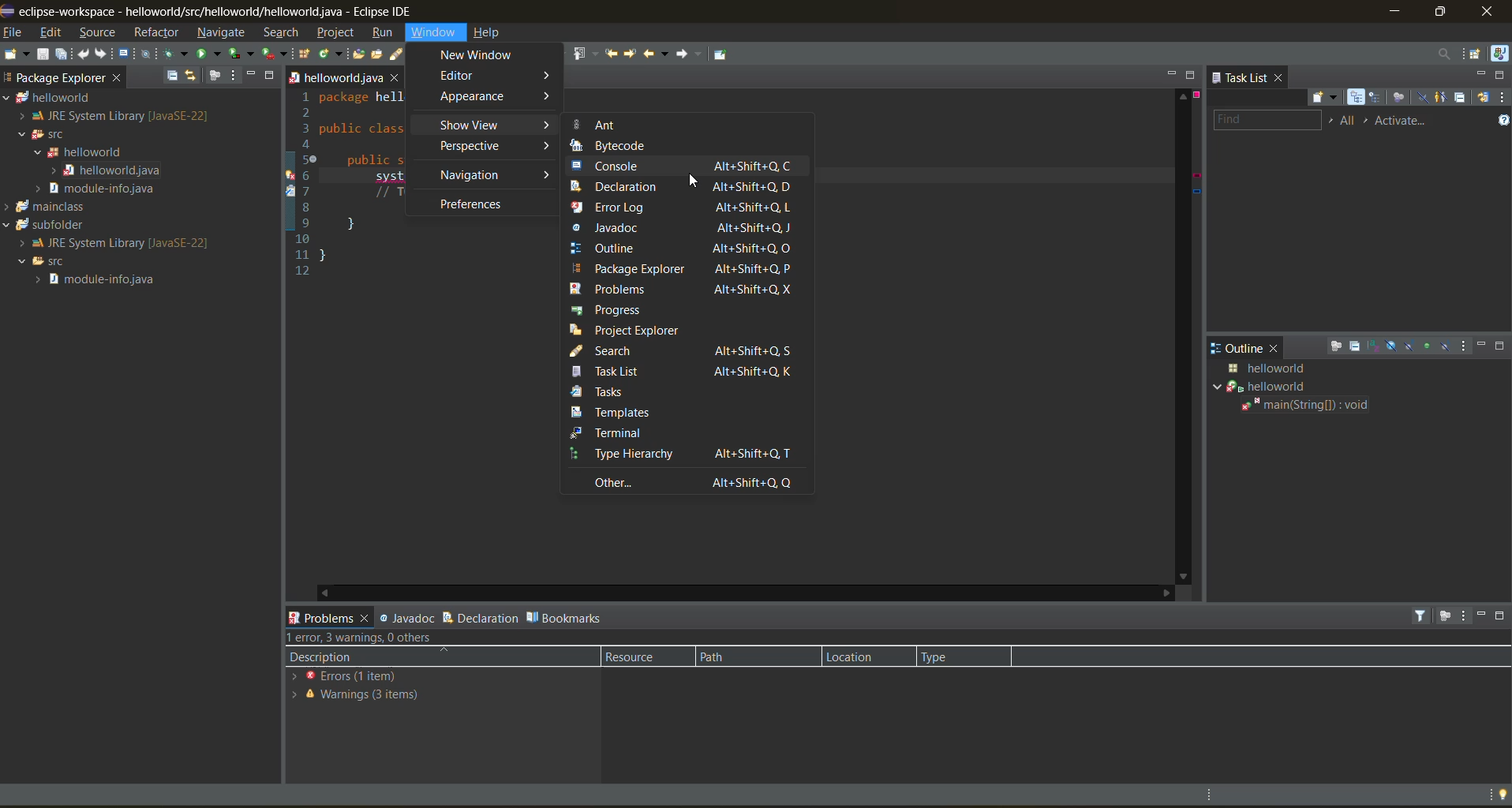  Describe the element at coordinates (1240, 348) in the screenshot. I see `outline` at that location.